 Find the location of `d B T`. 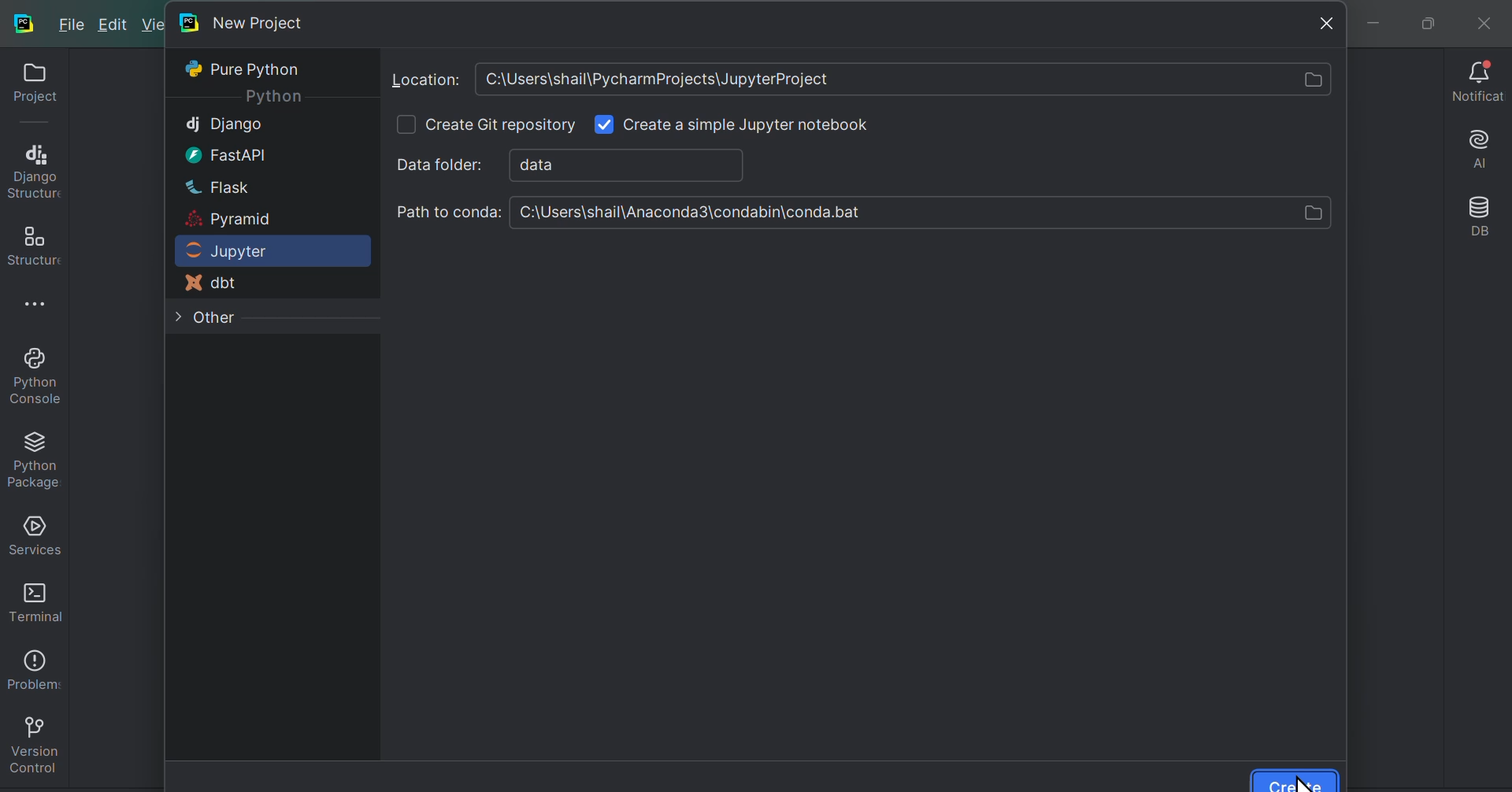

d B T is located at coordinates (215, 284).